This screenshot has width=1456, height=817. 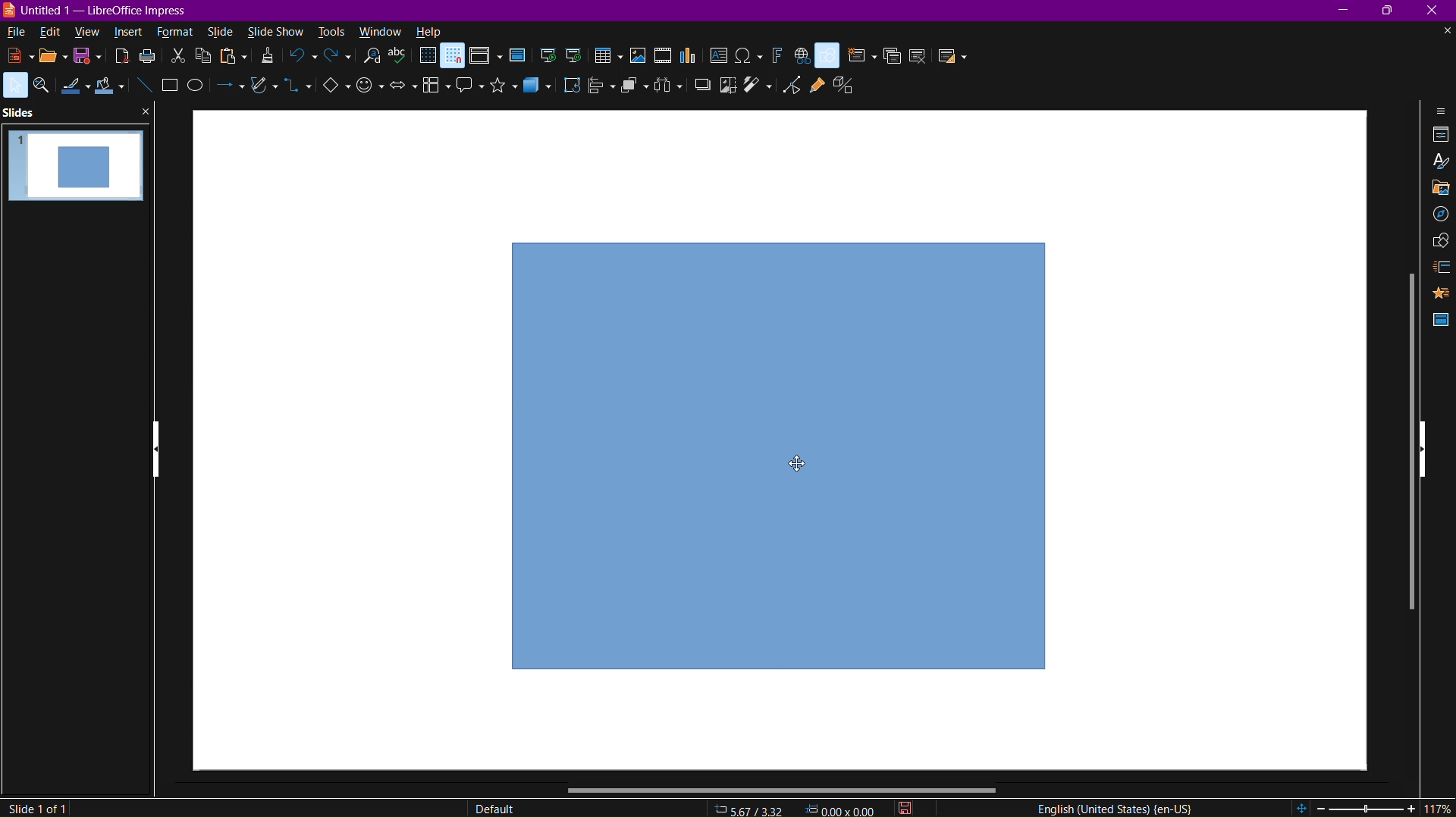 What do you see at coordinates (950, 55) in the screenshot?
I see `Slide Layout` at bounding box center [950, 55].